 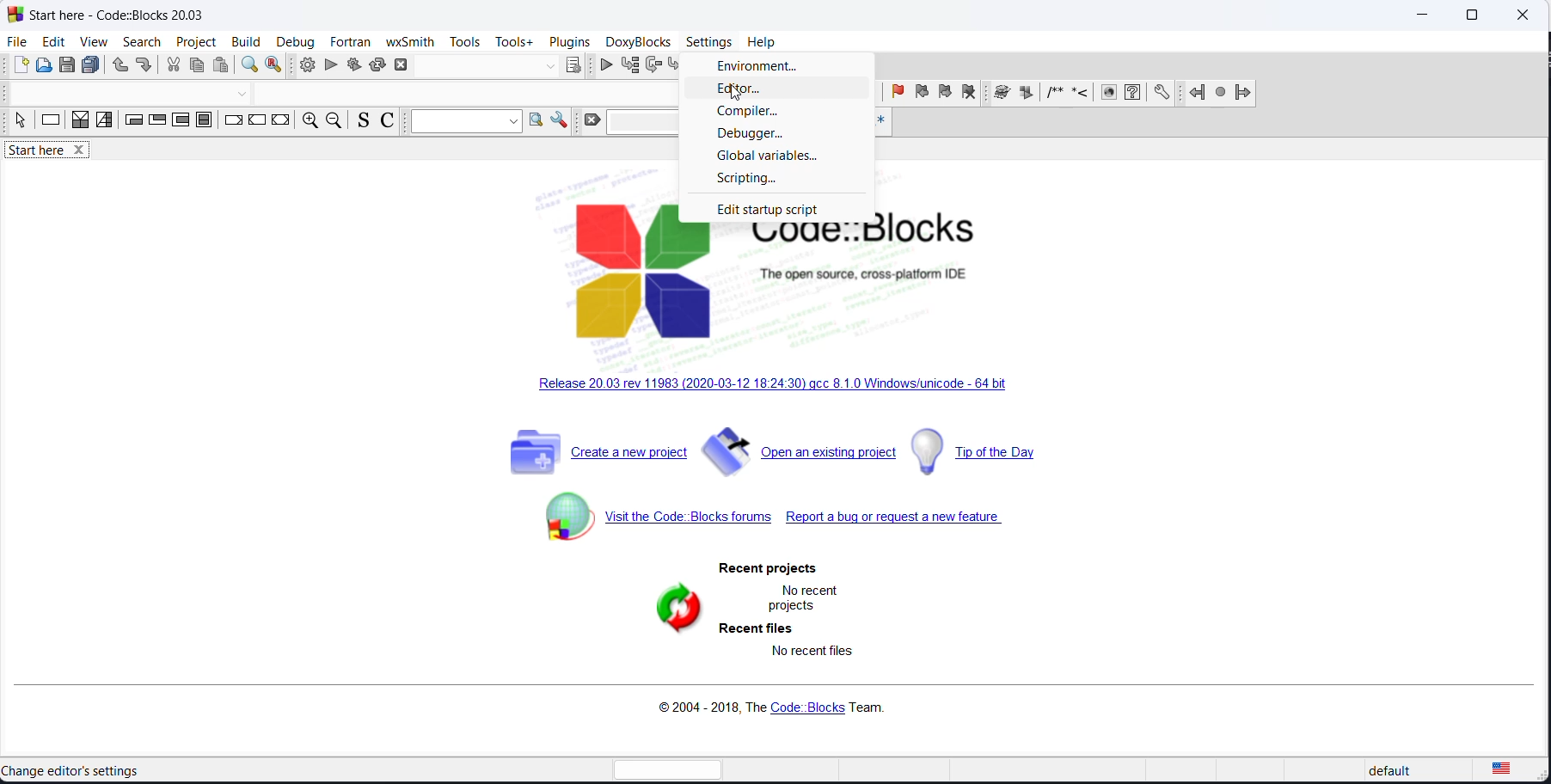 What do you see at coordinates (573, 64) in the screenshot?
I see `target dialog` at bounding box center [573, 64].